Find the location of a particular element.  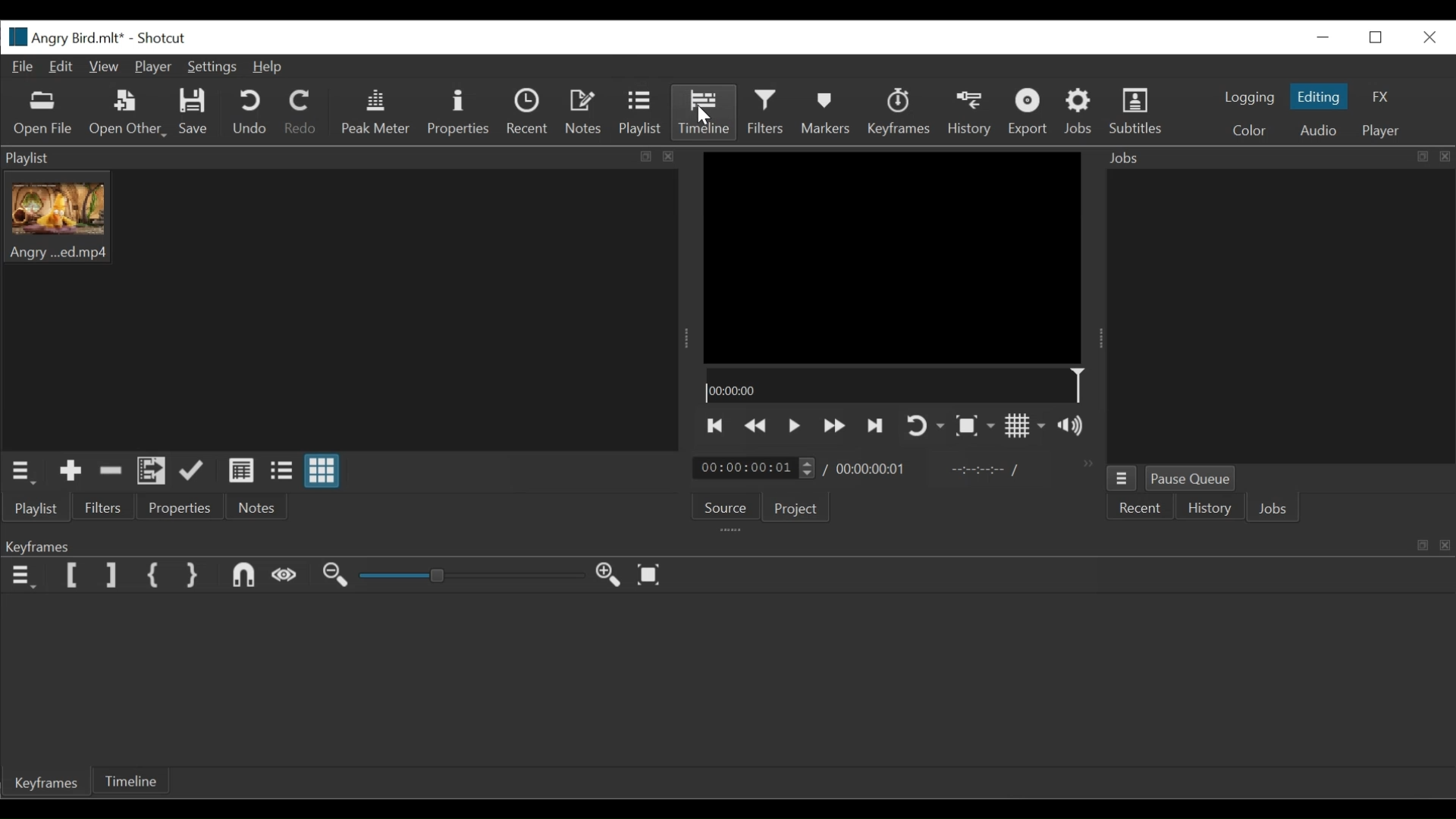

Editing is located at coordinates (1321, 96).